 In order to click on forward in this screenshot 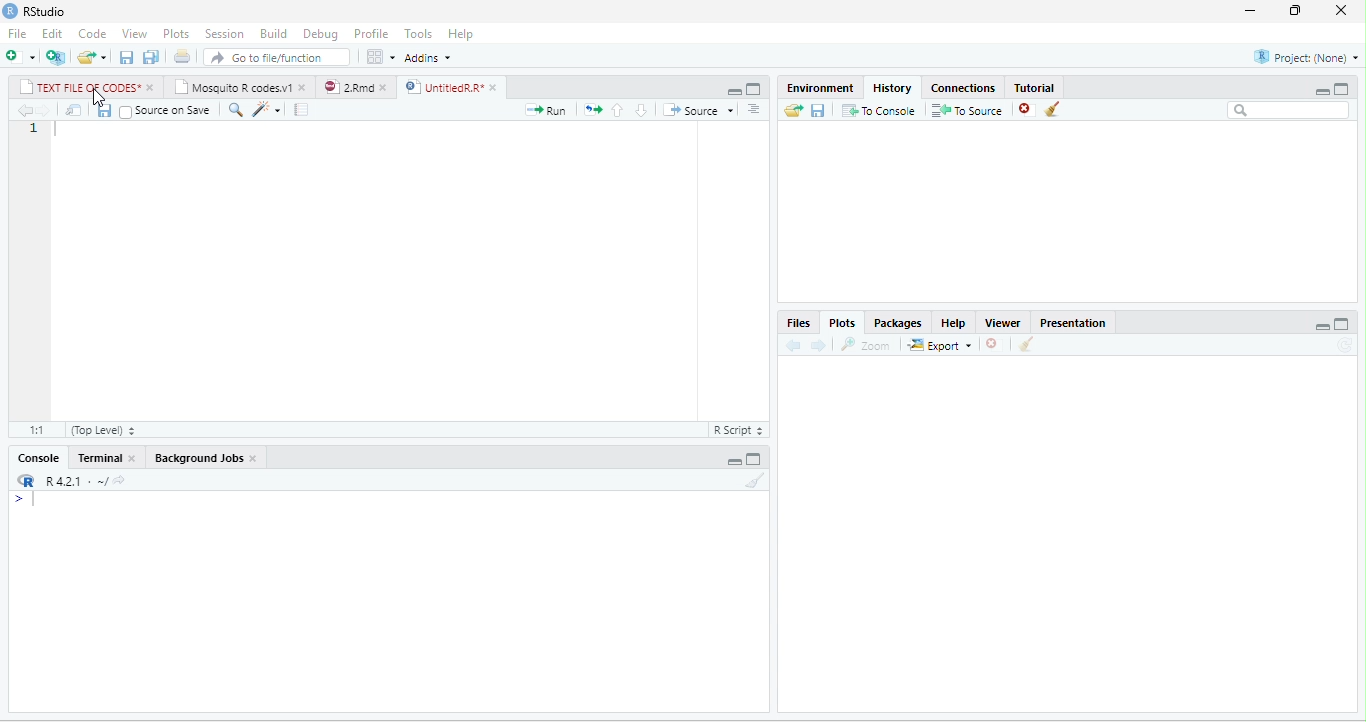, I will do `click(43, 110)`.